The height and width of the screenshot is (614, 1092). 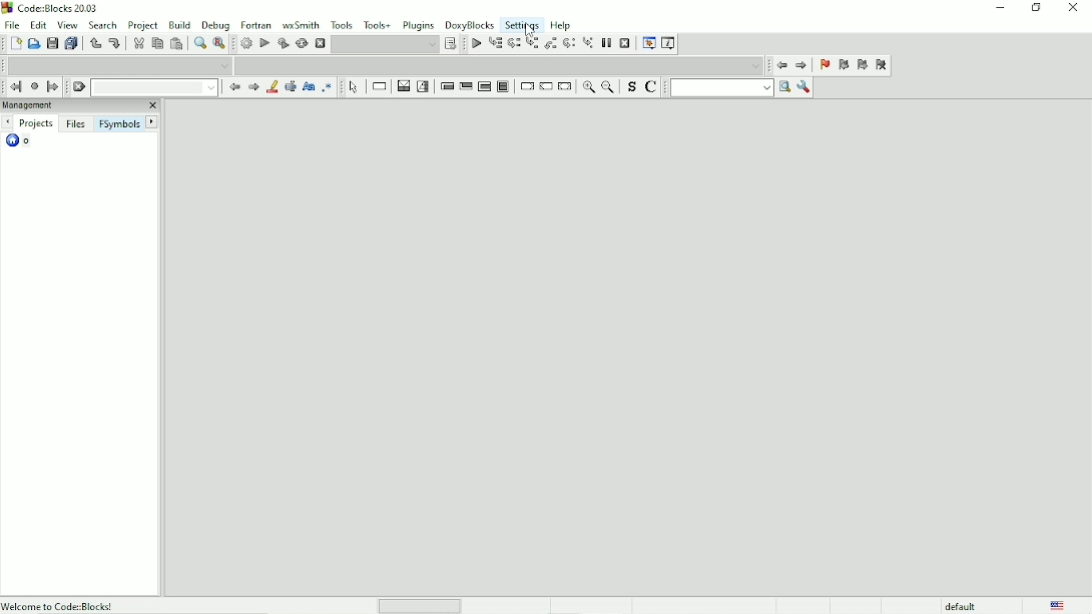 What do you see at coordinates (198, 43) in the screenshot?
I see `Find` at bounding box center [198, 43].